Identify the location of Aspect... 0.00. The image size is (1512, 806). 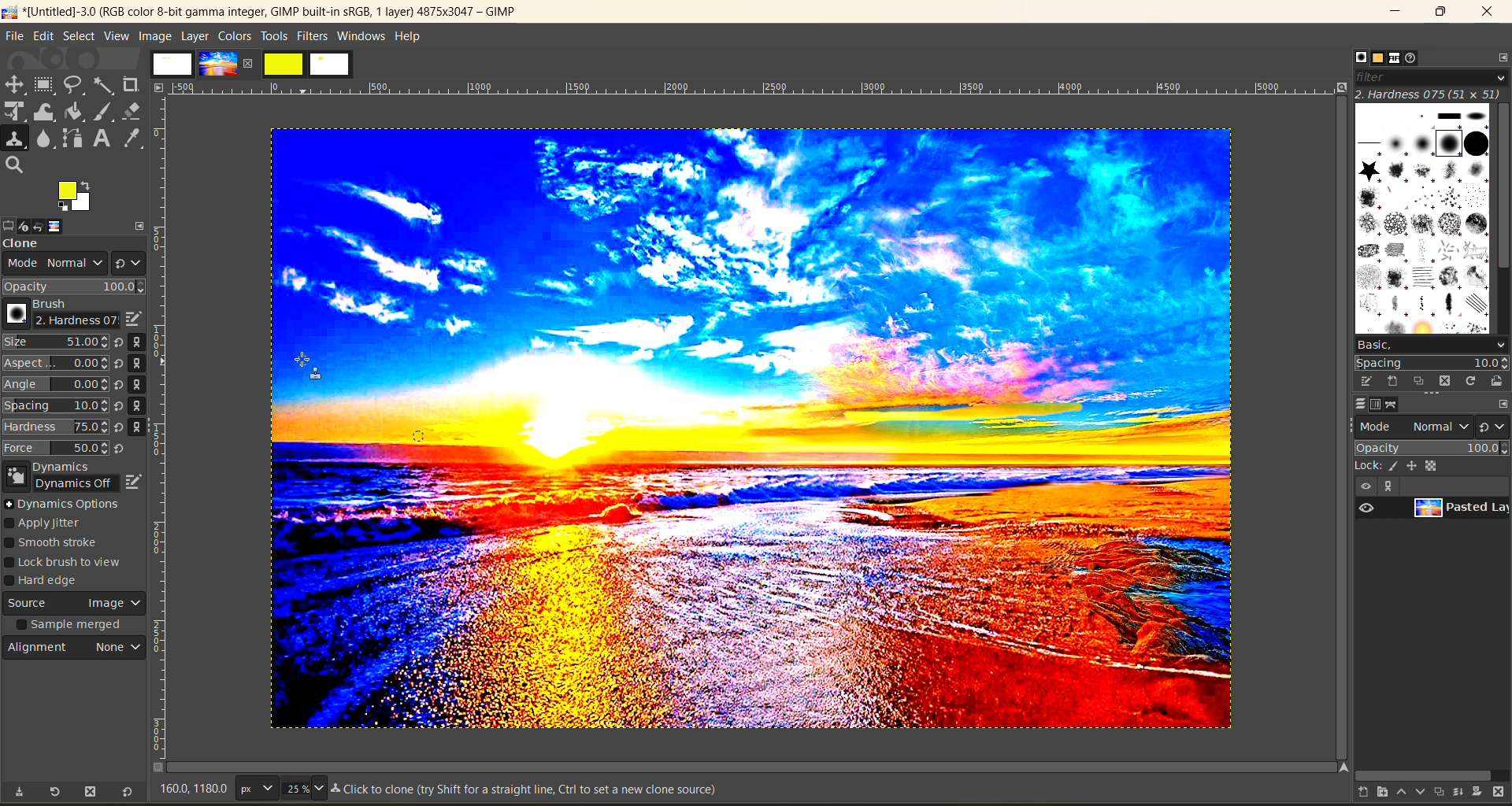
(56, 364).